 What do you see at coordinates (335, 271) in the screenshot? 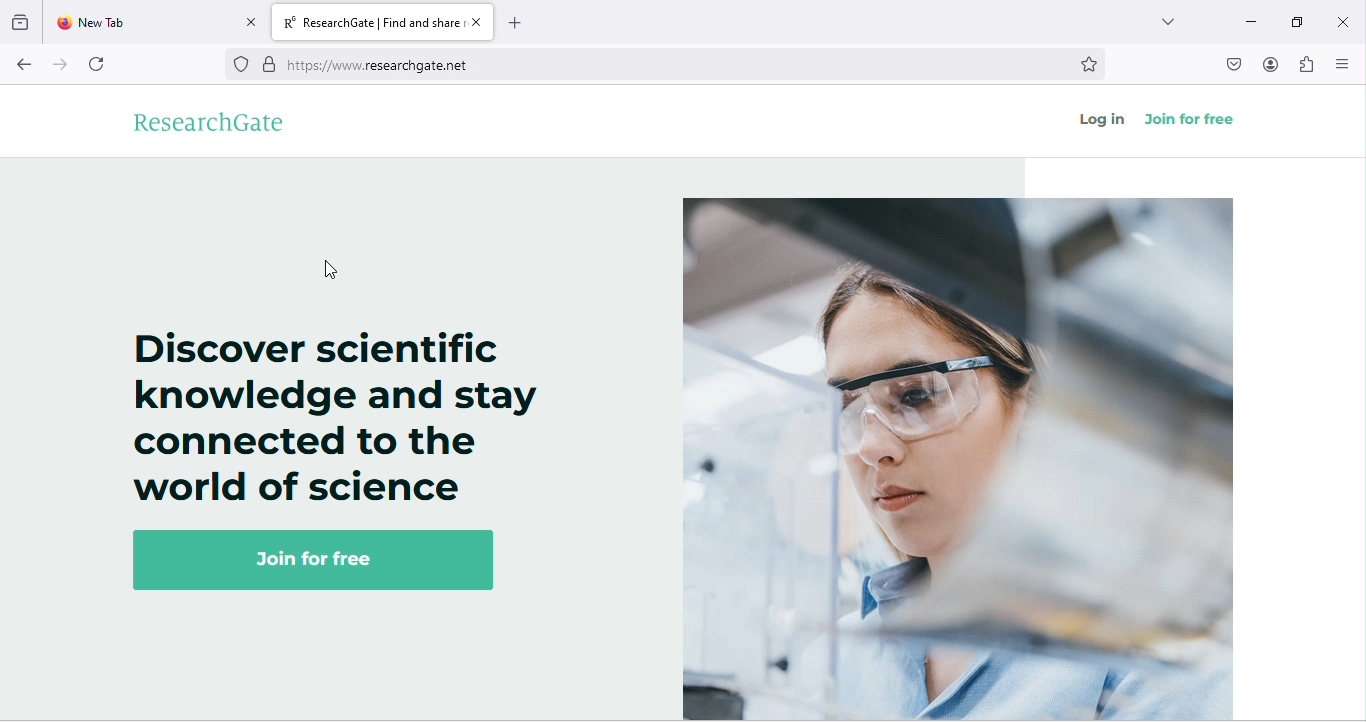
I see `cursor` at bounding box center [335, 271].